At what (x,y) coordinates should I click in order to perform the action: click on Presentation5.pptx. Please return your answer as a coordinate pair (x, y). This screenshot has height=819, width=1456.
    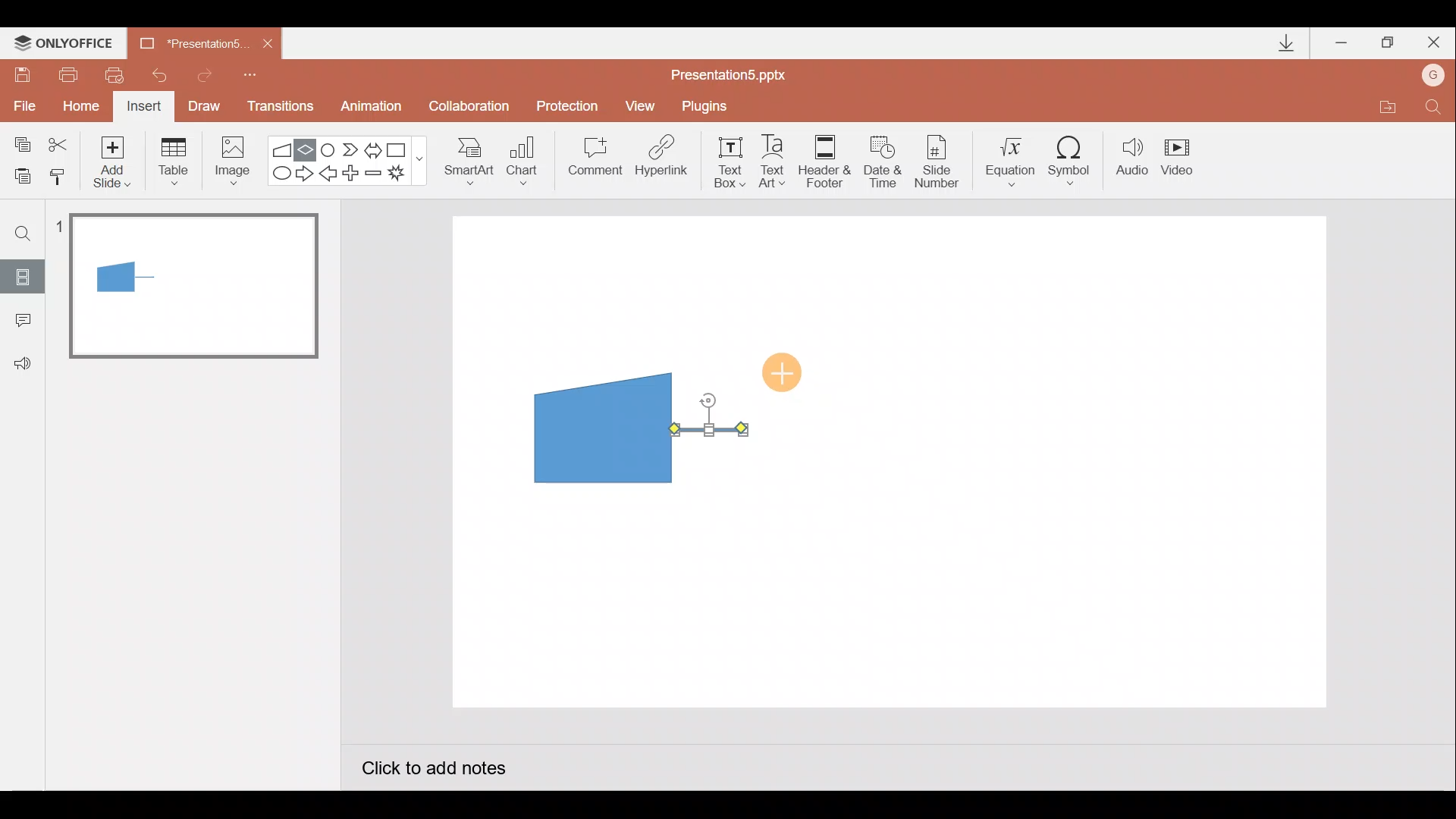
    Looking at the image, I should click on (739, 71).